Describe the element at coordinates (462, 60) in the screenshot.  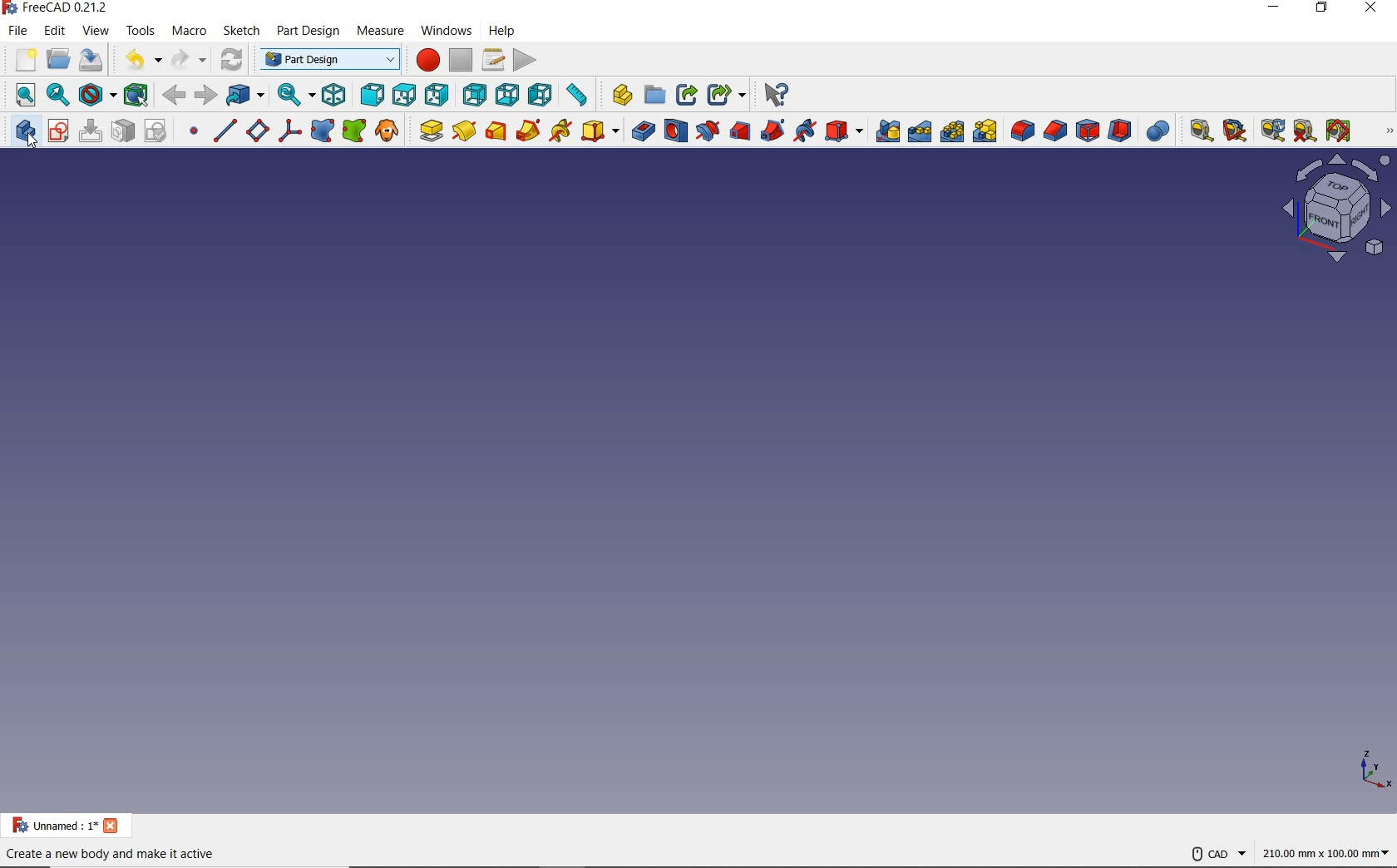
I see `stop macro reading` at that location.